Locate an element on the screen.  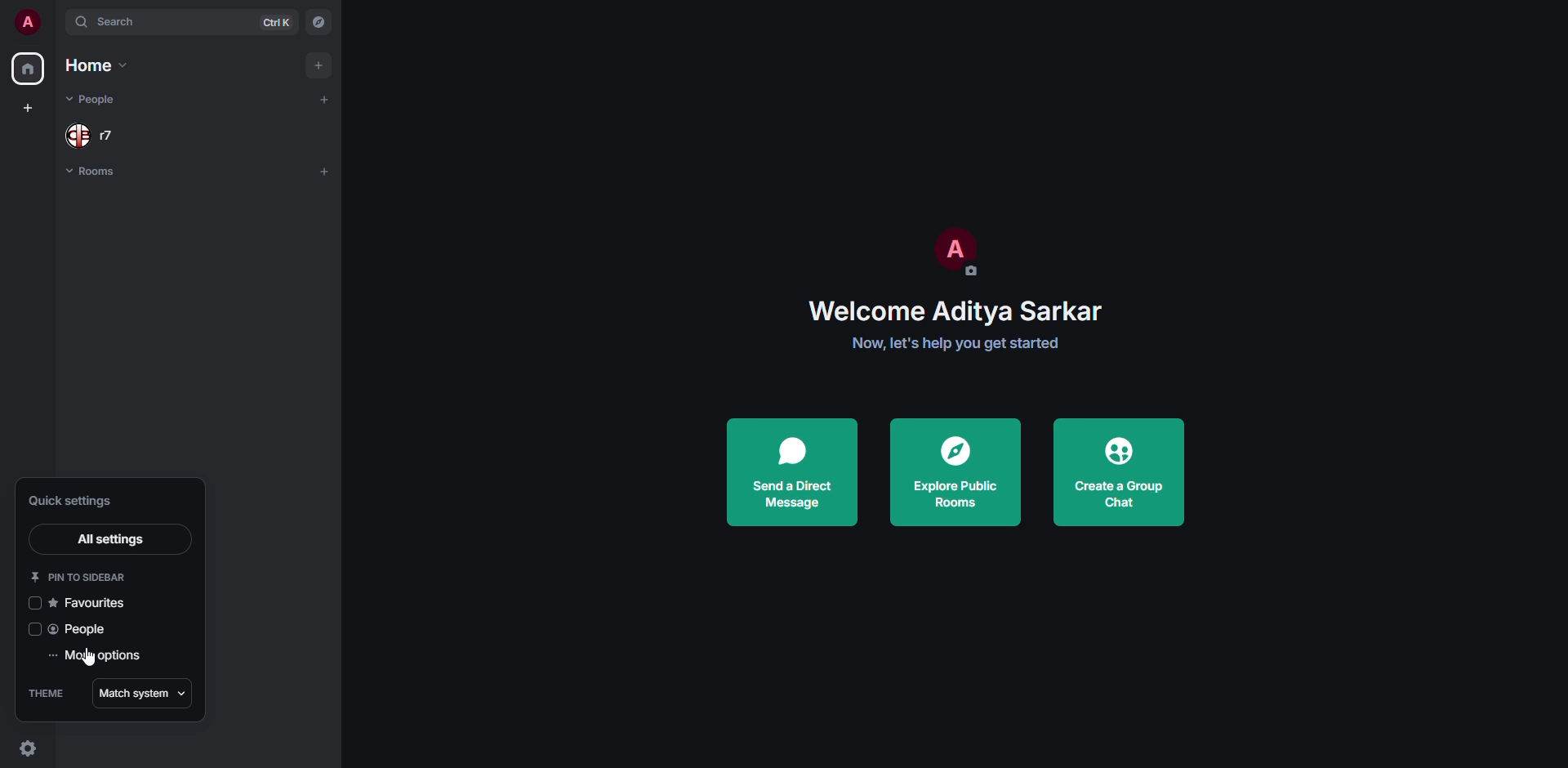
send direct message is located at coordinates (800, 470).